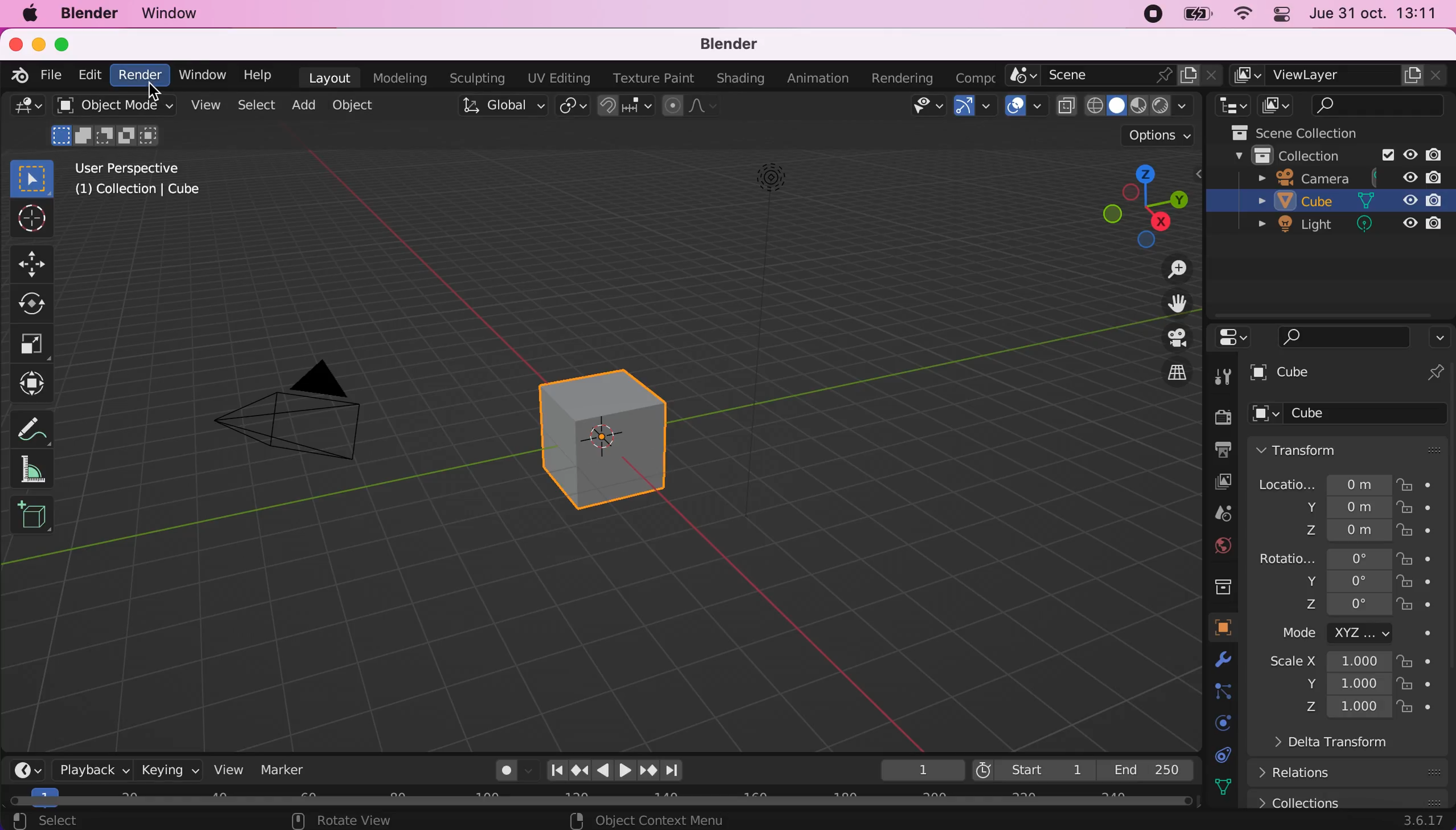 The image size is (1456, 830). I want to click on Jump to last, so click(674, 766).